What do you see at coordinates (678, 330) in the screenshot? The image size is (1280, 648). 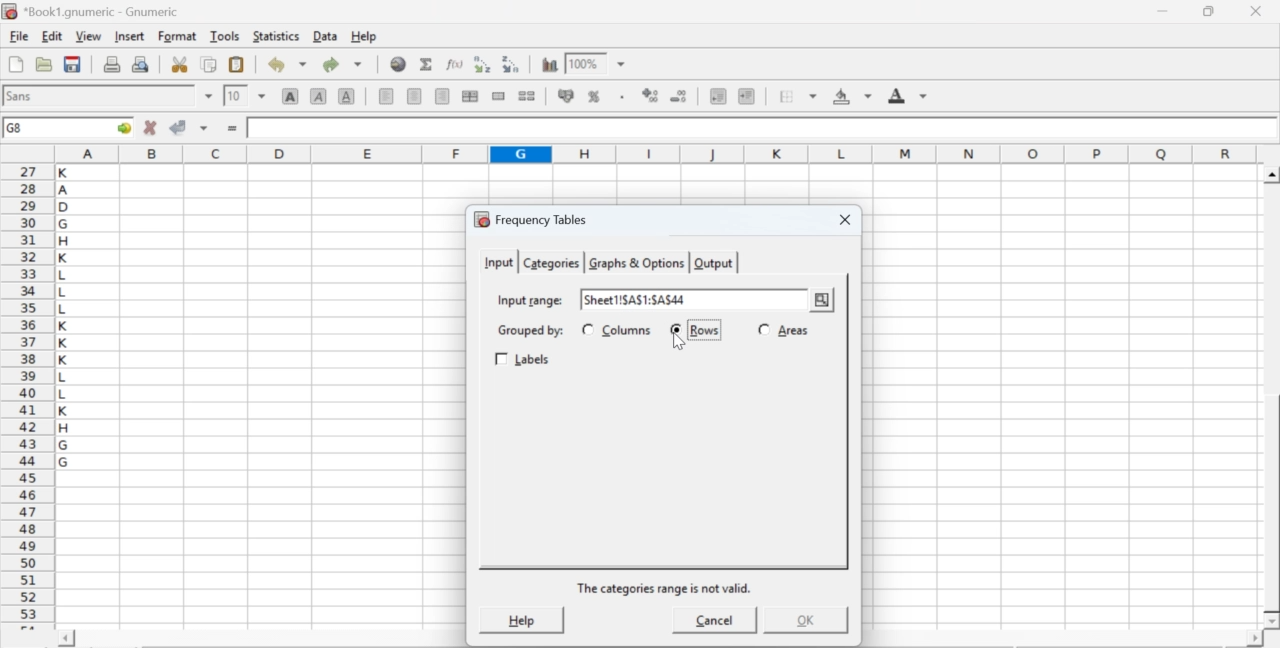 I see `checkbox` at bounding box center [678, 330].